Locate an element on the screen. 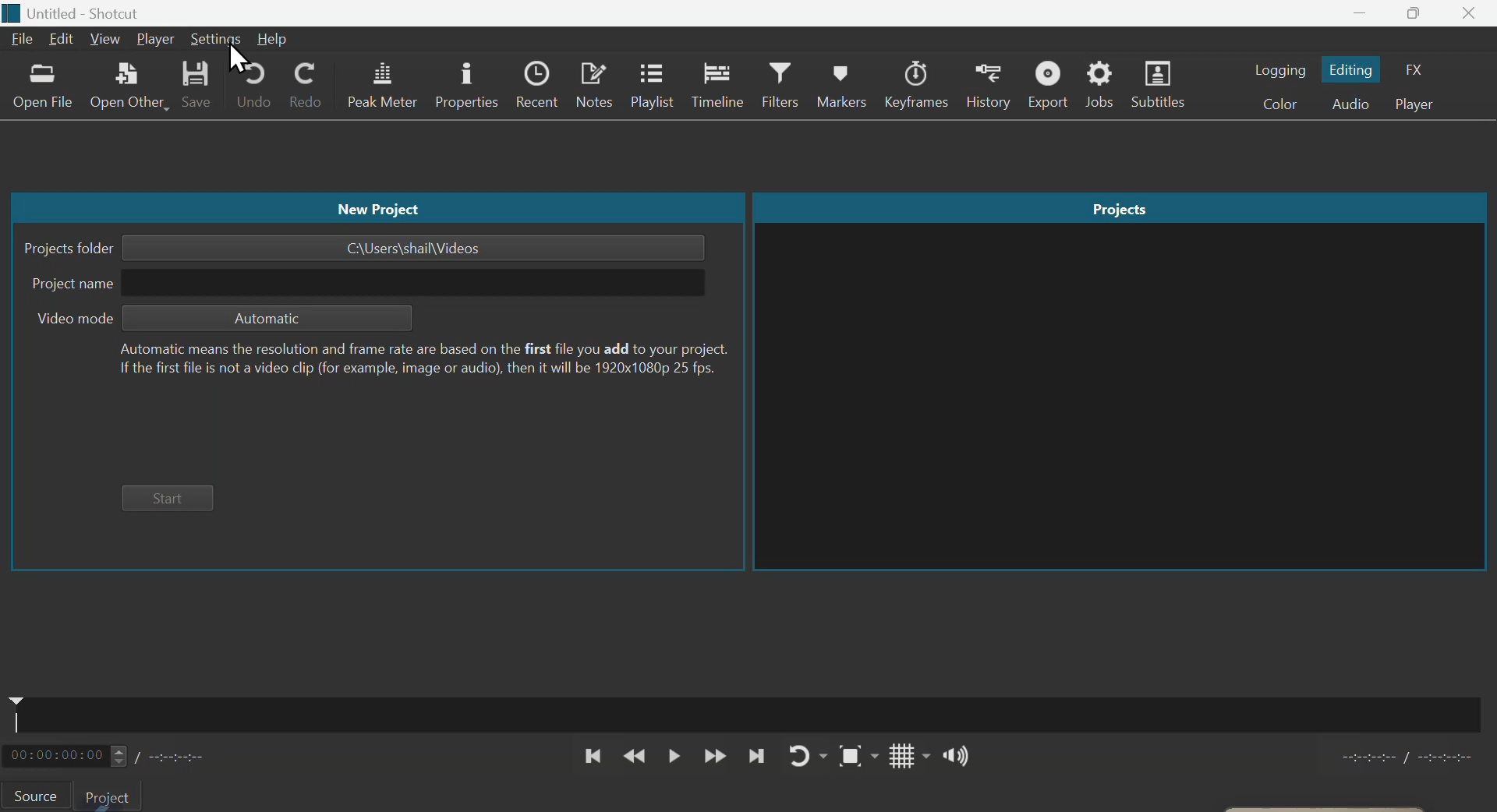 This screenshot has width=1497, height=812. Peak metre is located at coordinates (381, 85).